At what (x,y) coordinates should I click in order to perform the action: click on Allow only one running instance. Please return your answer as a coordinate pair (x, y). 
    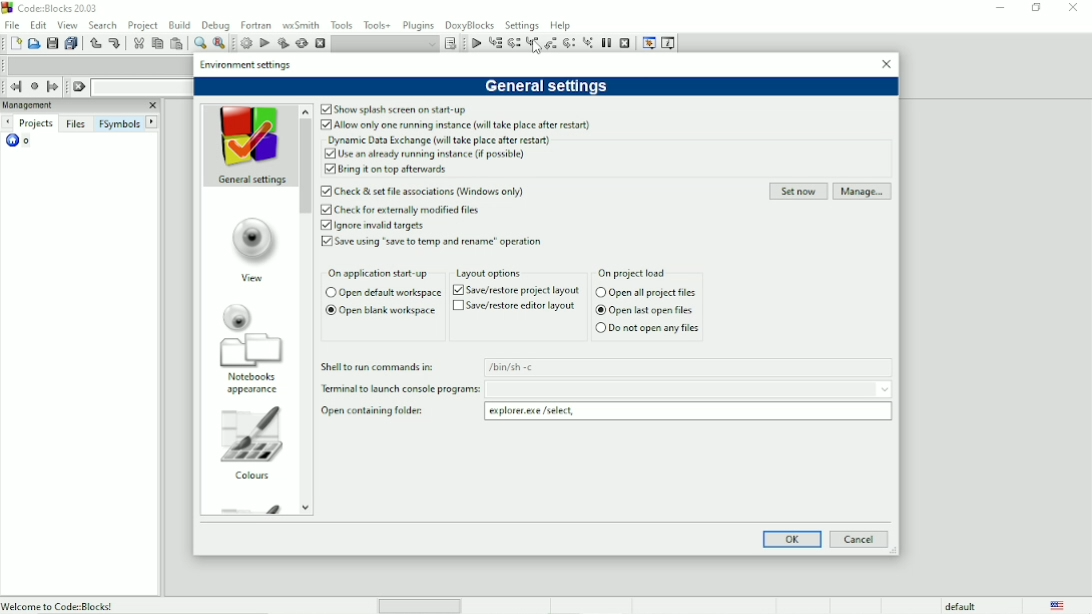
    Looking at the image, I should click on (456, 125).